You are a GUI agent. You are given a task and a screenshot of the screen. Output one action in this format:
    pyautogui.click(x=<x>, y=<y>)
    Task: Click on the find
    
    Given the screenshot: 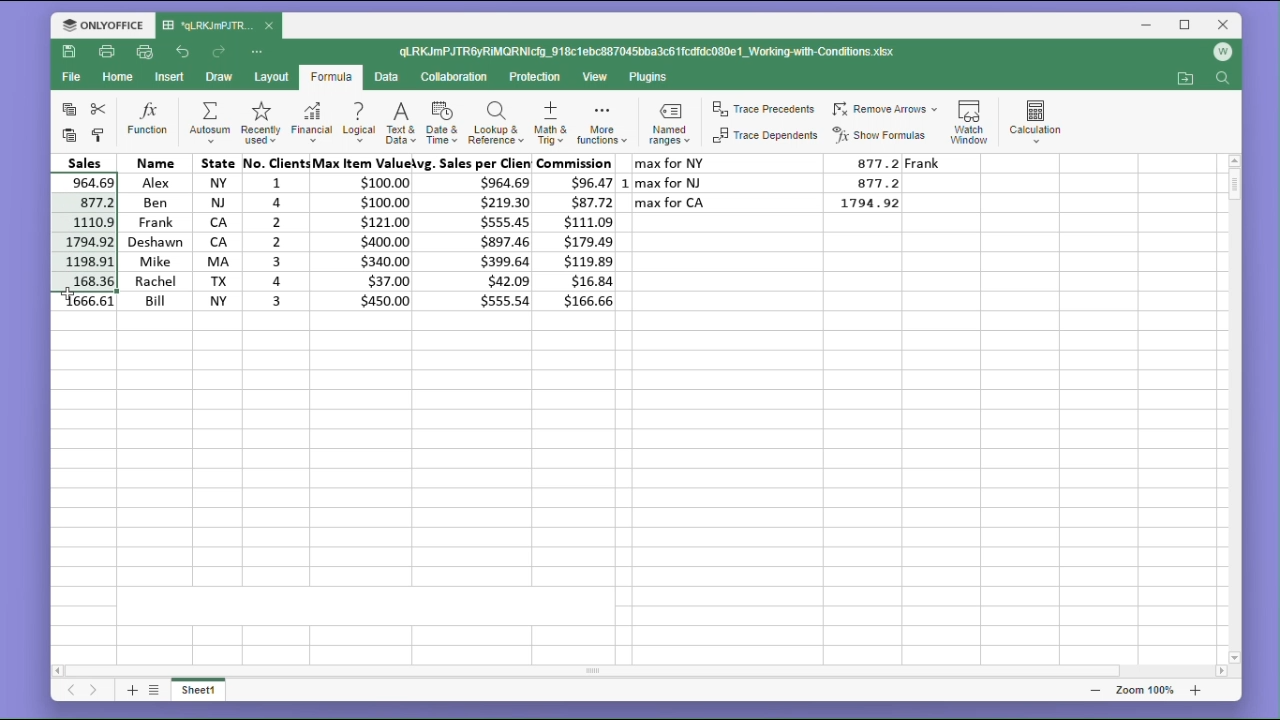 What is the action you would take?
    pyautogui.click(x=1225, y=80)
    